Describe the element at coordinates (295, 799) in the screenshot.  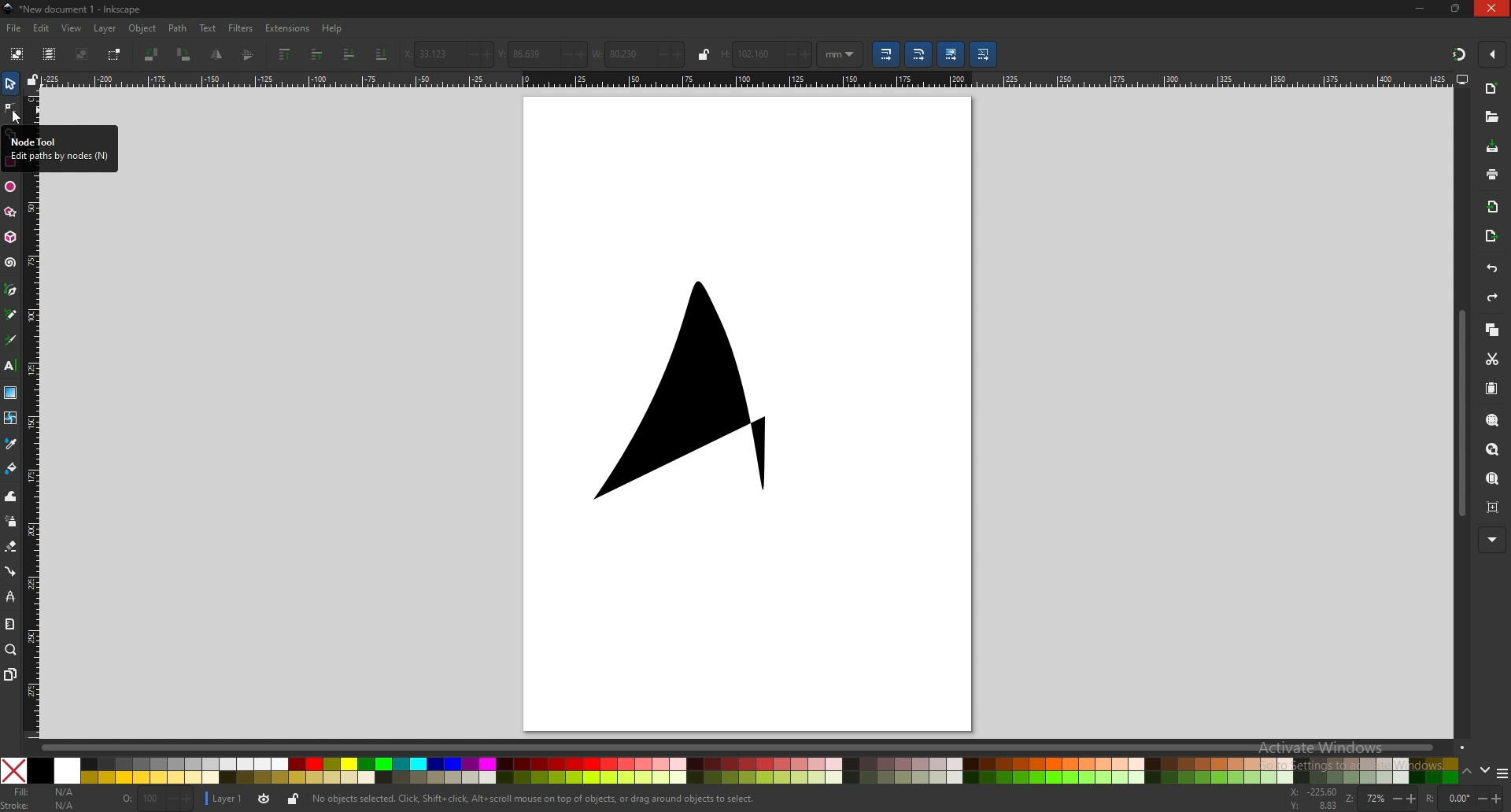
I see `lock` at that location.